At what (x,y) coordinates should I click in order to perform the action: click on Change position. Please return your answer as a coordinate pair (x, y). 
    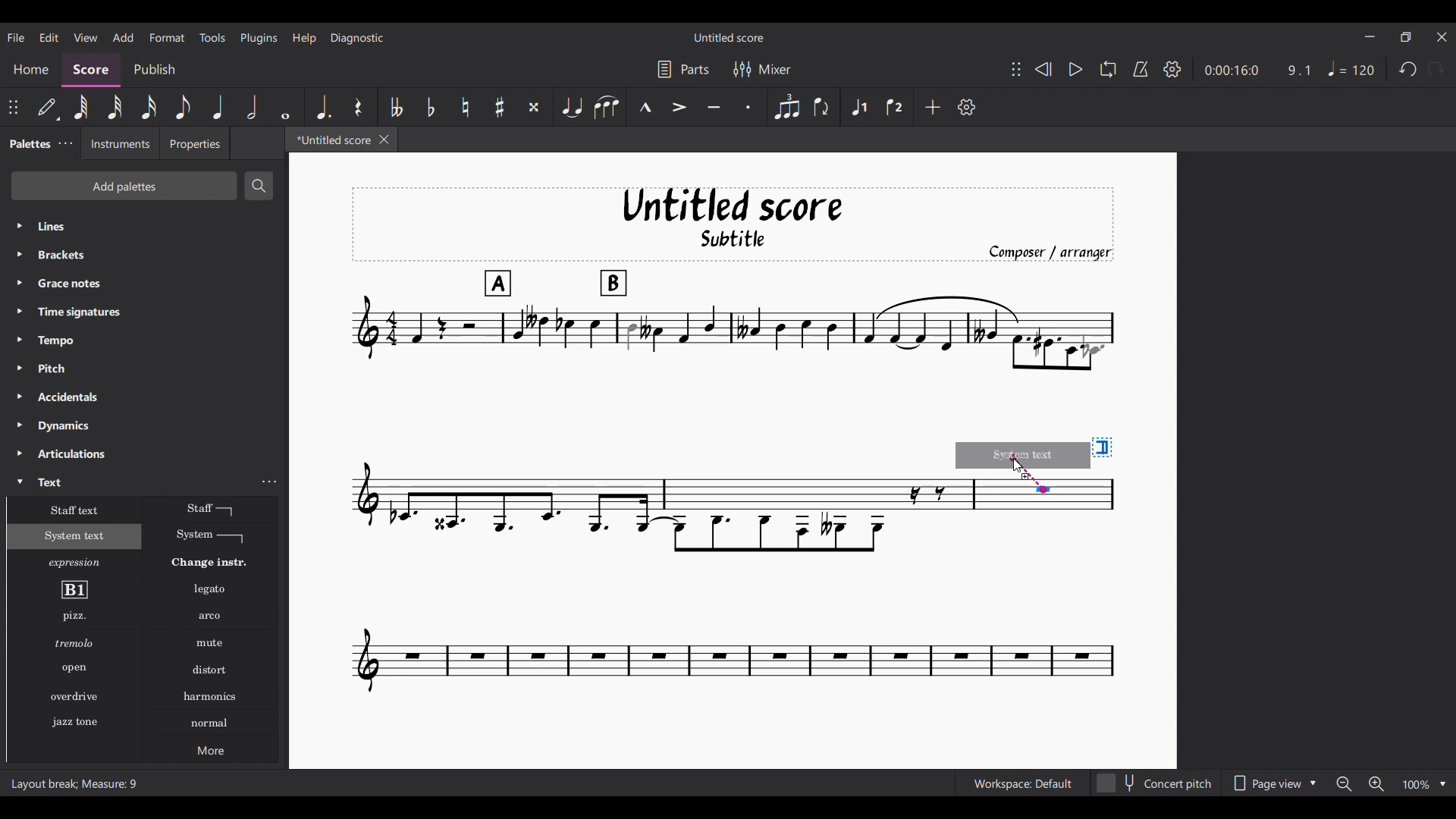
    Looking at the image, I should click on (13, 107).